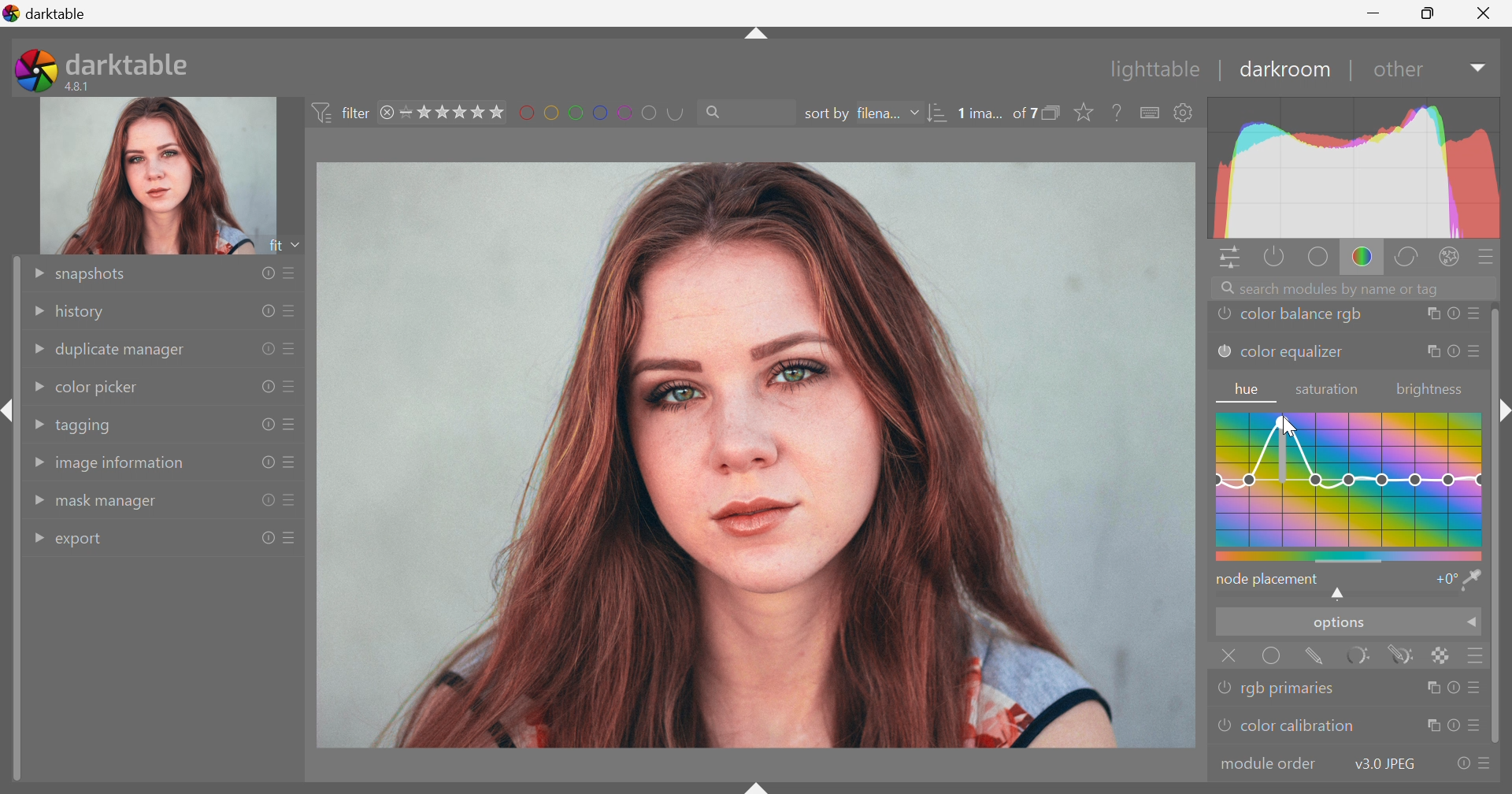 The image size is (1512, 794). What do you see at coordinates (122, 351) in the screenshot?
I see `duplicate manager` at bounding box center [122, 351].